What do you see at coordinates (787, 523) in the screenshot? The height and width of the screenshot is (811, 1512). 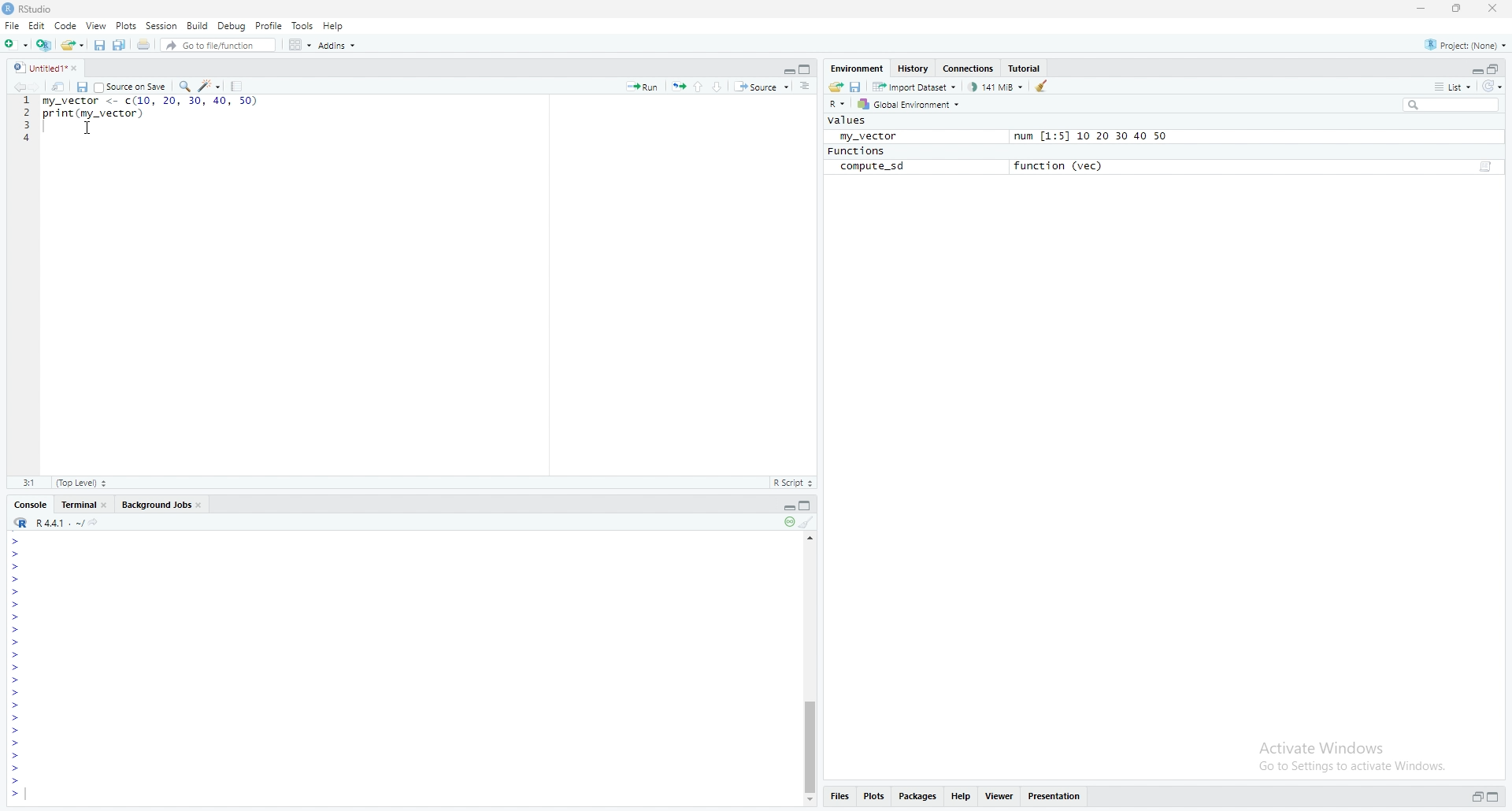 I see `Session suspend timeout passed: A child process is running` at bounding box center [787, 523].